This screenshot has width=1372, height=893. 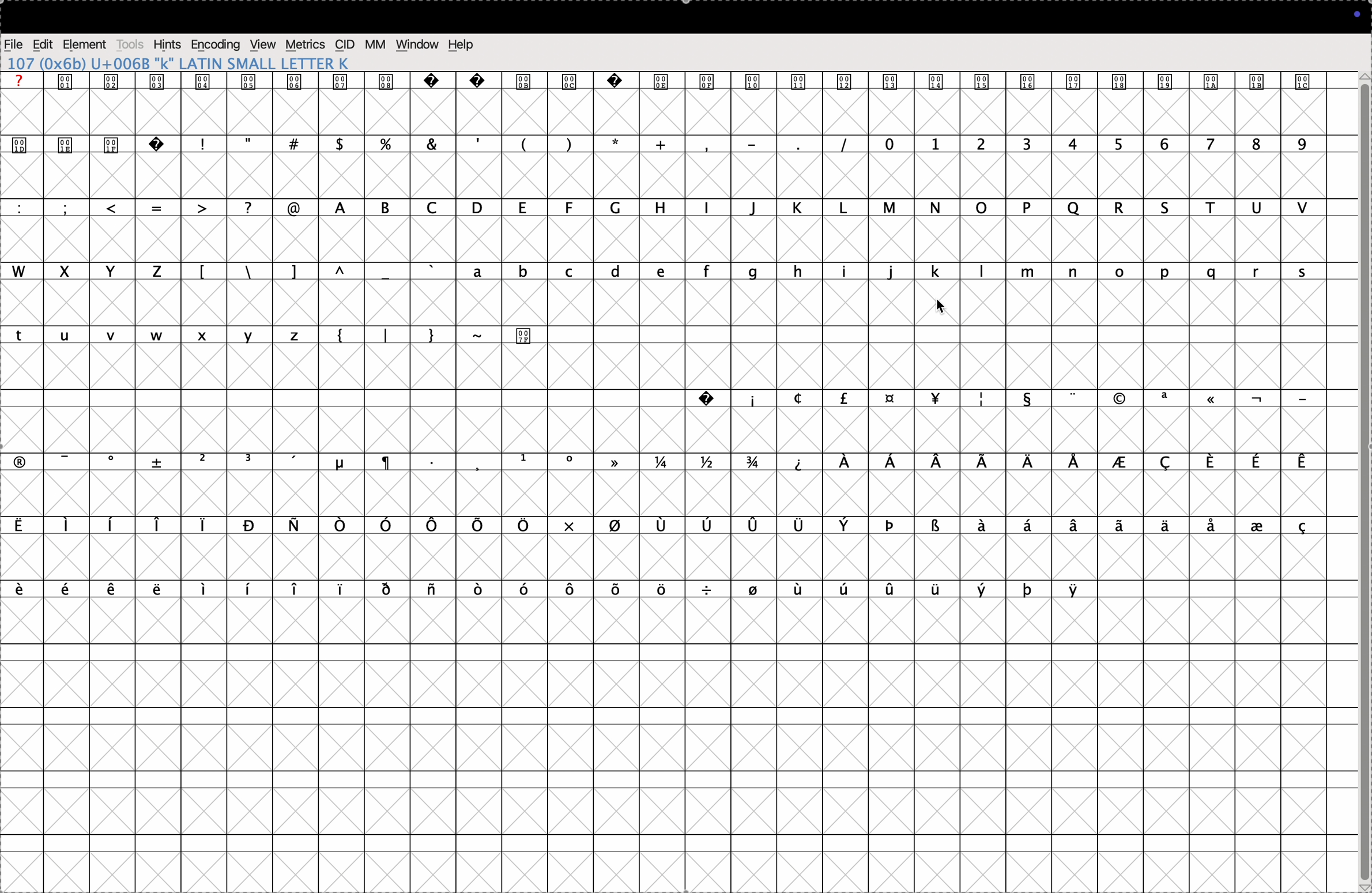 I want to click on x, so click(x=68, y=269).